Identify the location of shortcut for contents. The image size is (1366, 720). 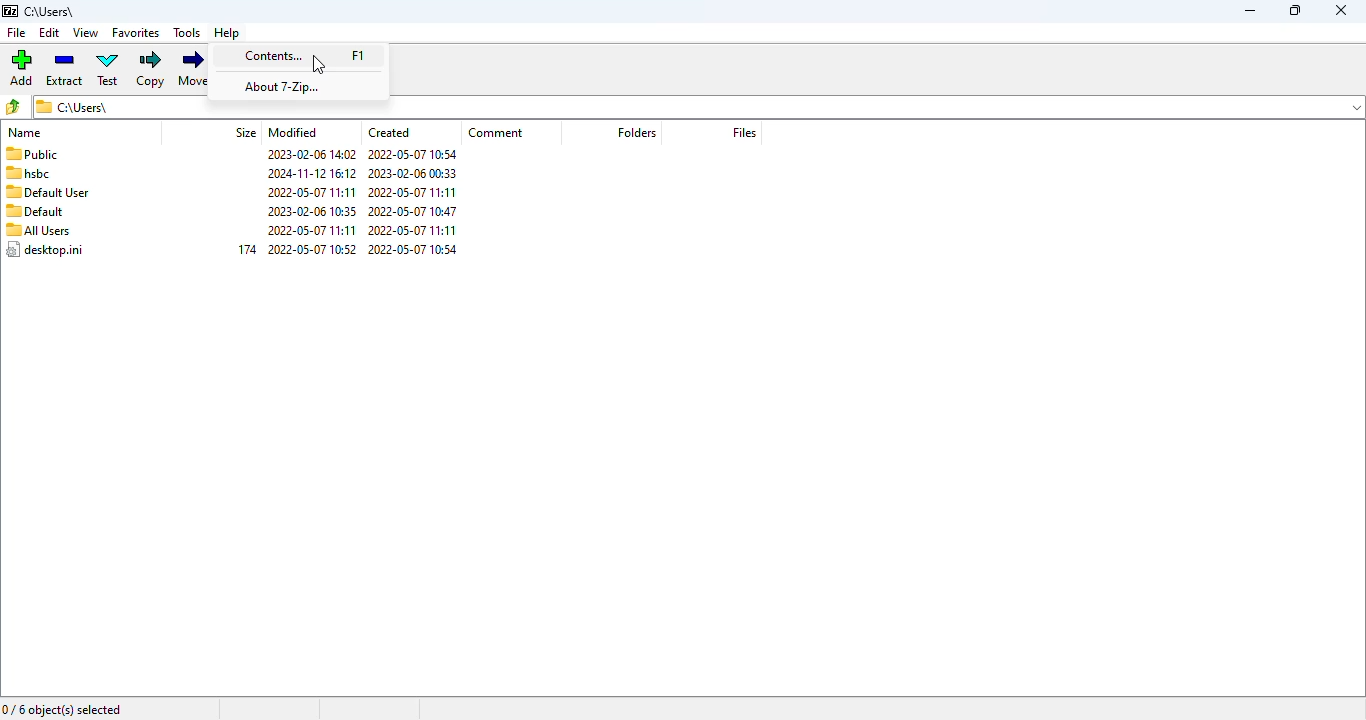
(358, 55).